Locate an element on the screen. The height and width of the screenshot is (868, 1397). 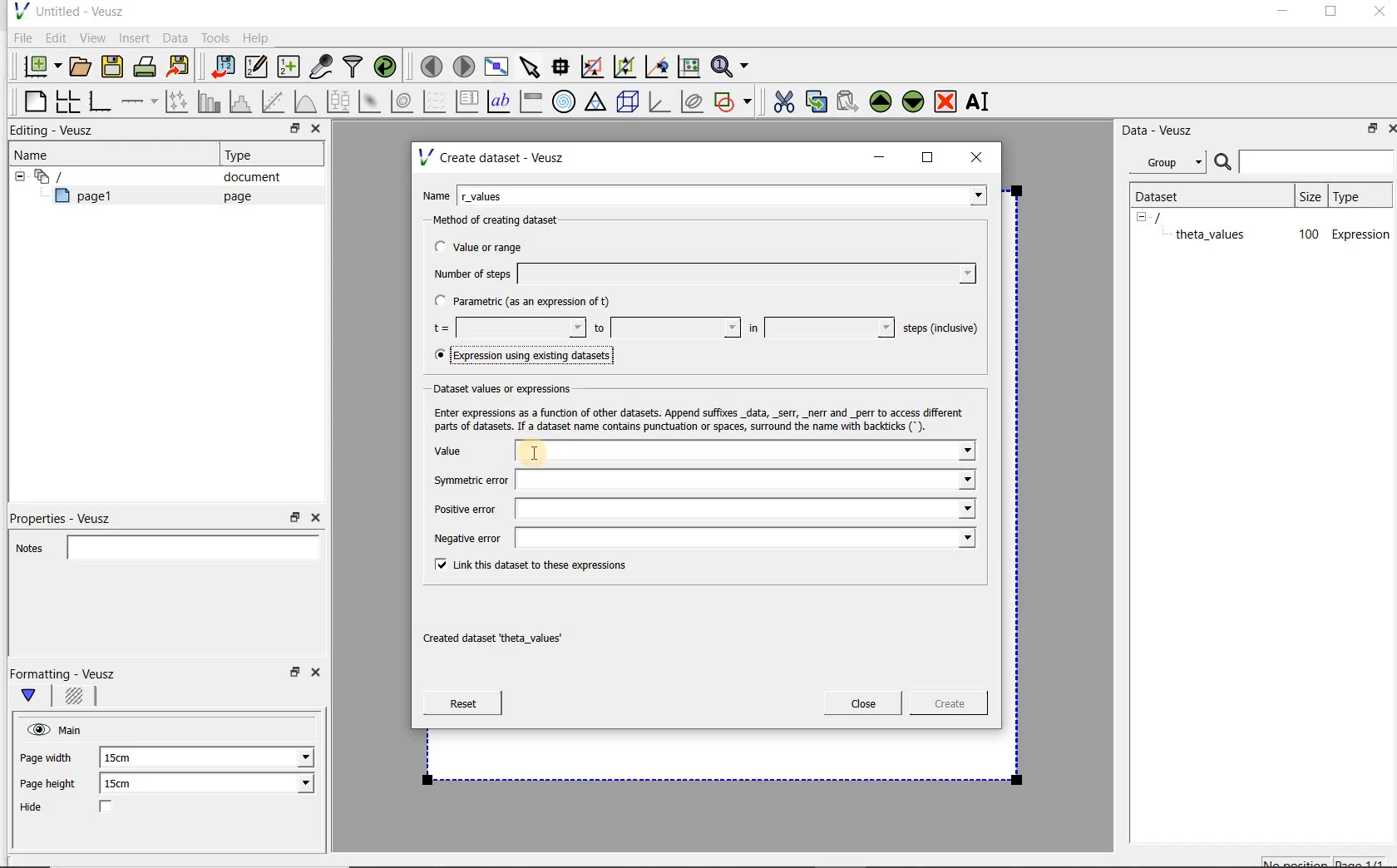
maximize is located at coordinates (1331, 14).